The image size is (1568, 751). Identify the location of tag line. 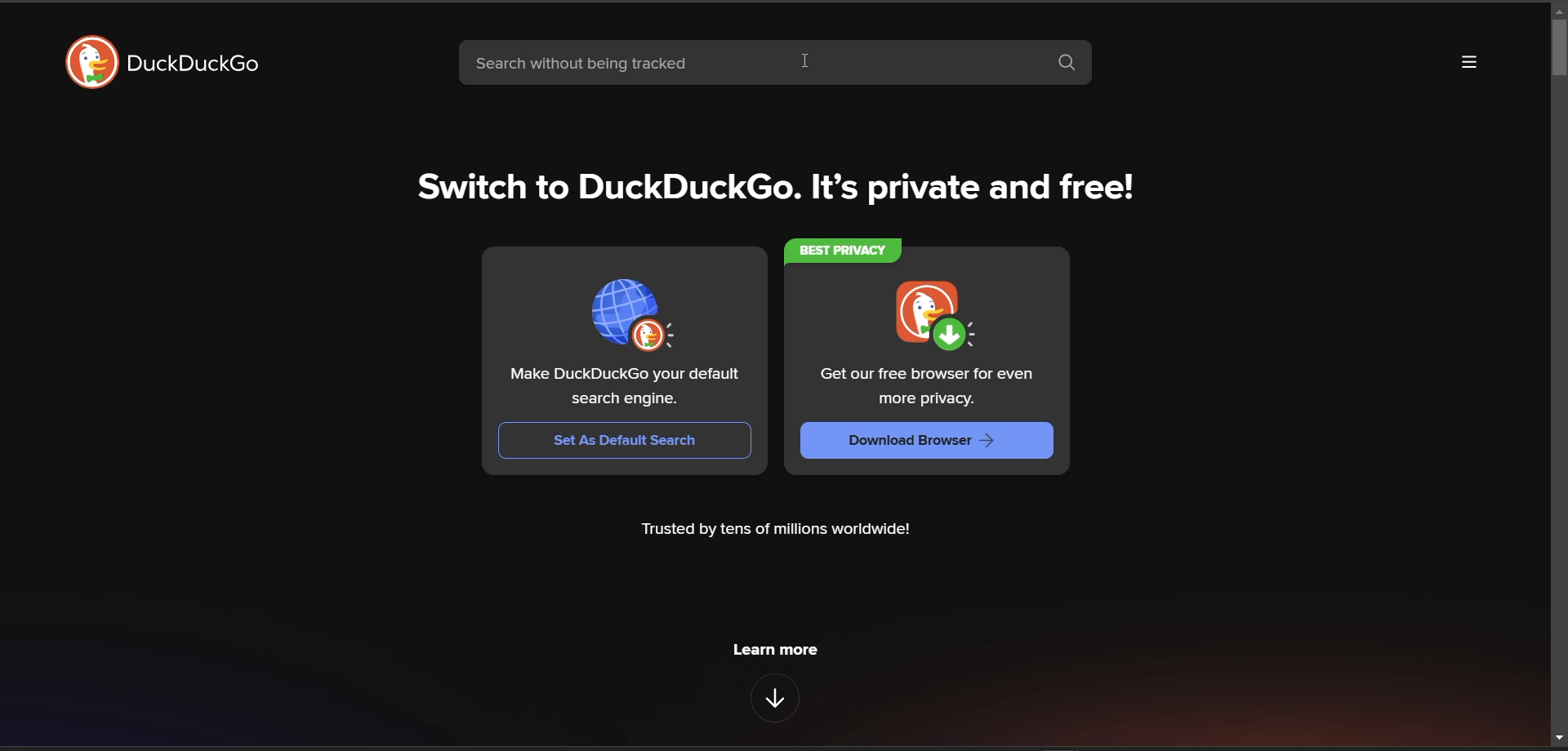
(786, 192).